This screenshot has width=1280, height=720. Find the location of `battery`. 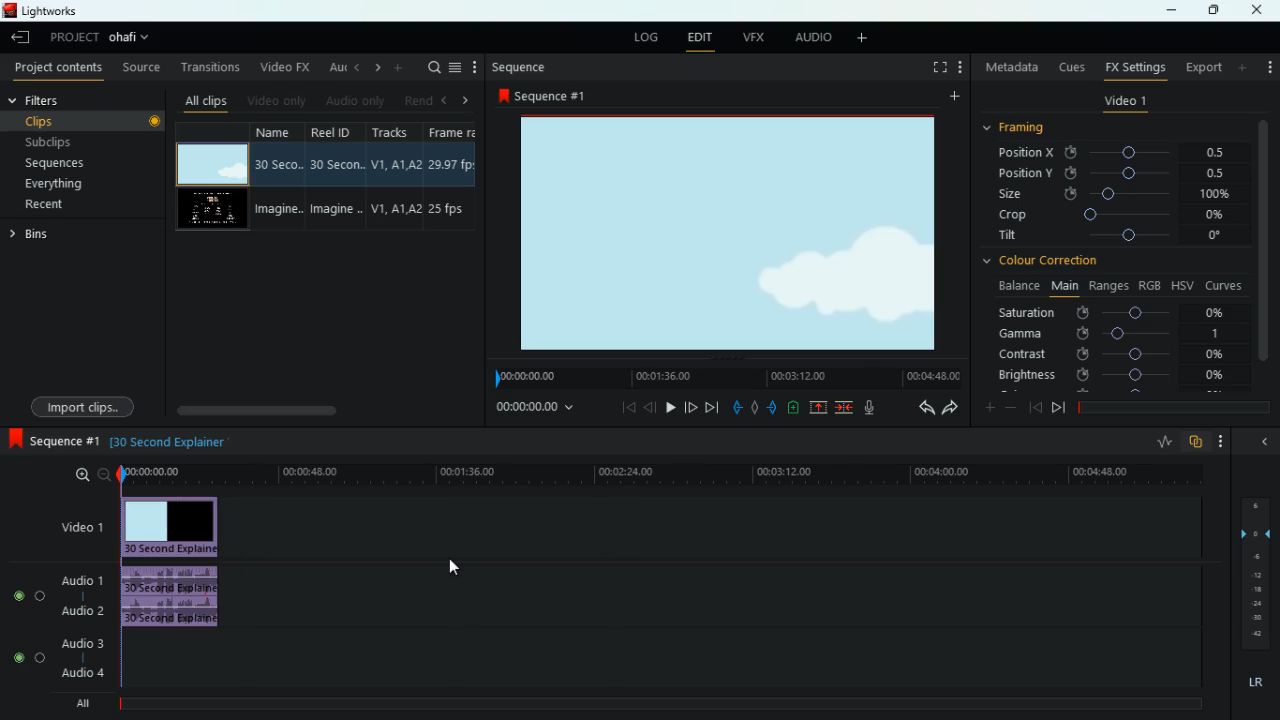

battery is located at coordinates (793, 409).